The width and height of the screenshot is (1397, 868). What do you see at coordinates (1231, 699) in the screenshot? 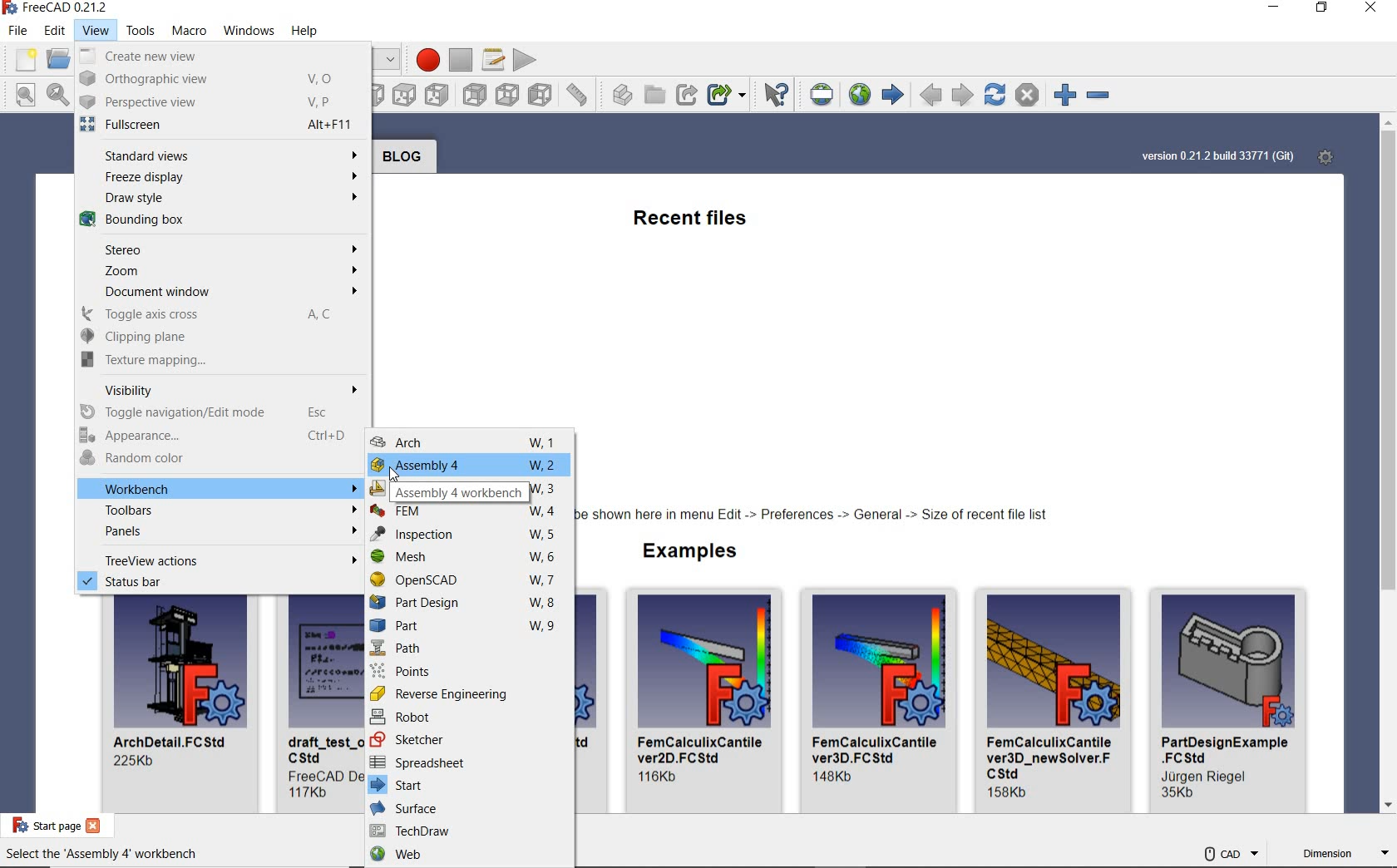
I see `PartDesingExample` at bounding box center [1231, 699].